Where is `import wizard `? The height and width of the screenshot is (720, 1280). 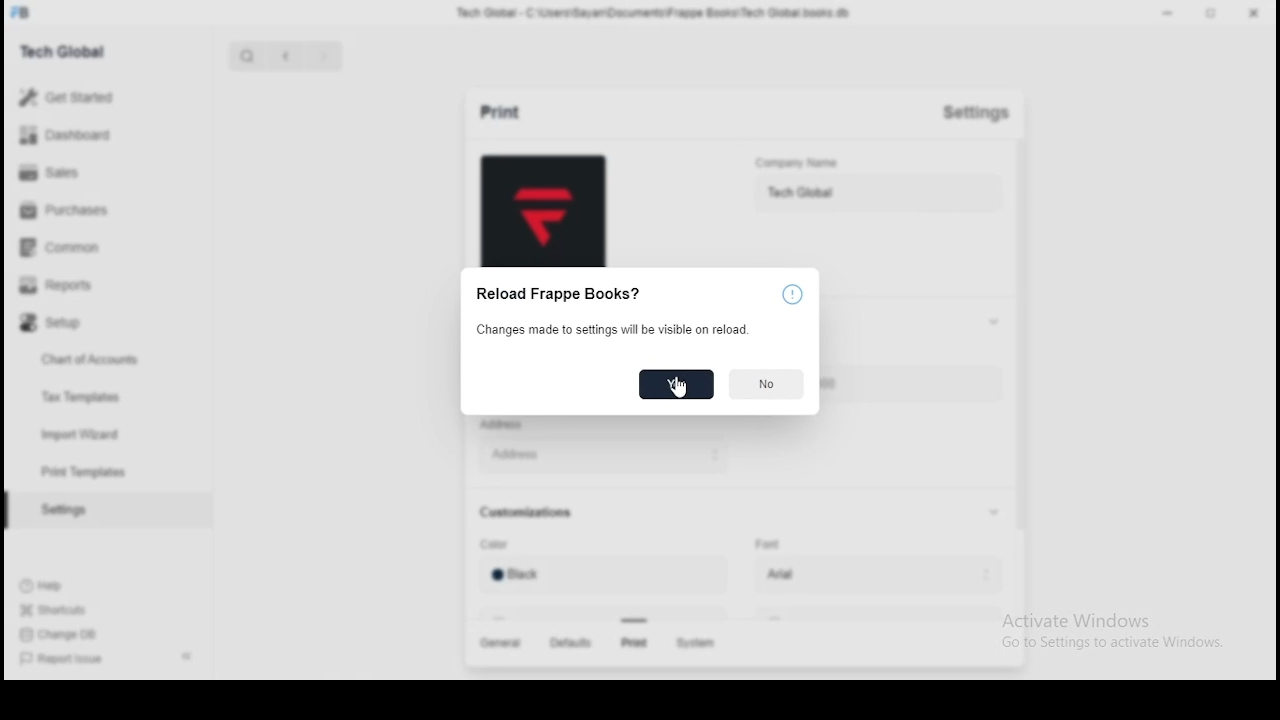 import wizard  is located at coordinates (82, 433).